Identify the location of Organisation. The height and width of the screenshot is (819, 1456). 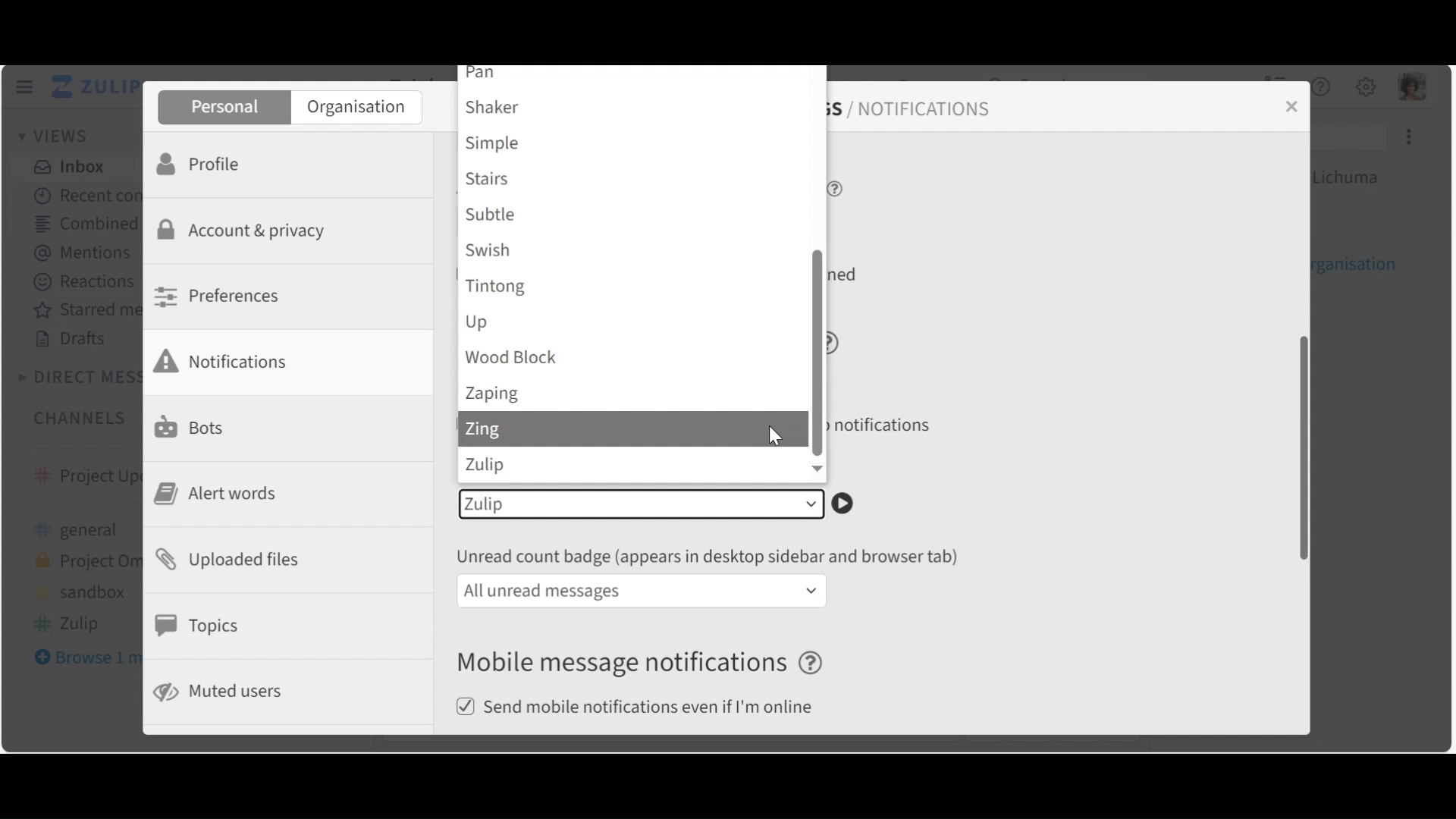
(356, 108).